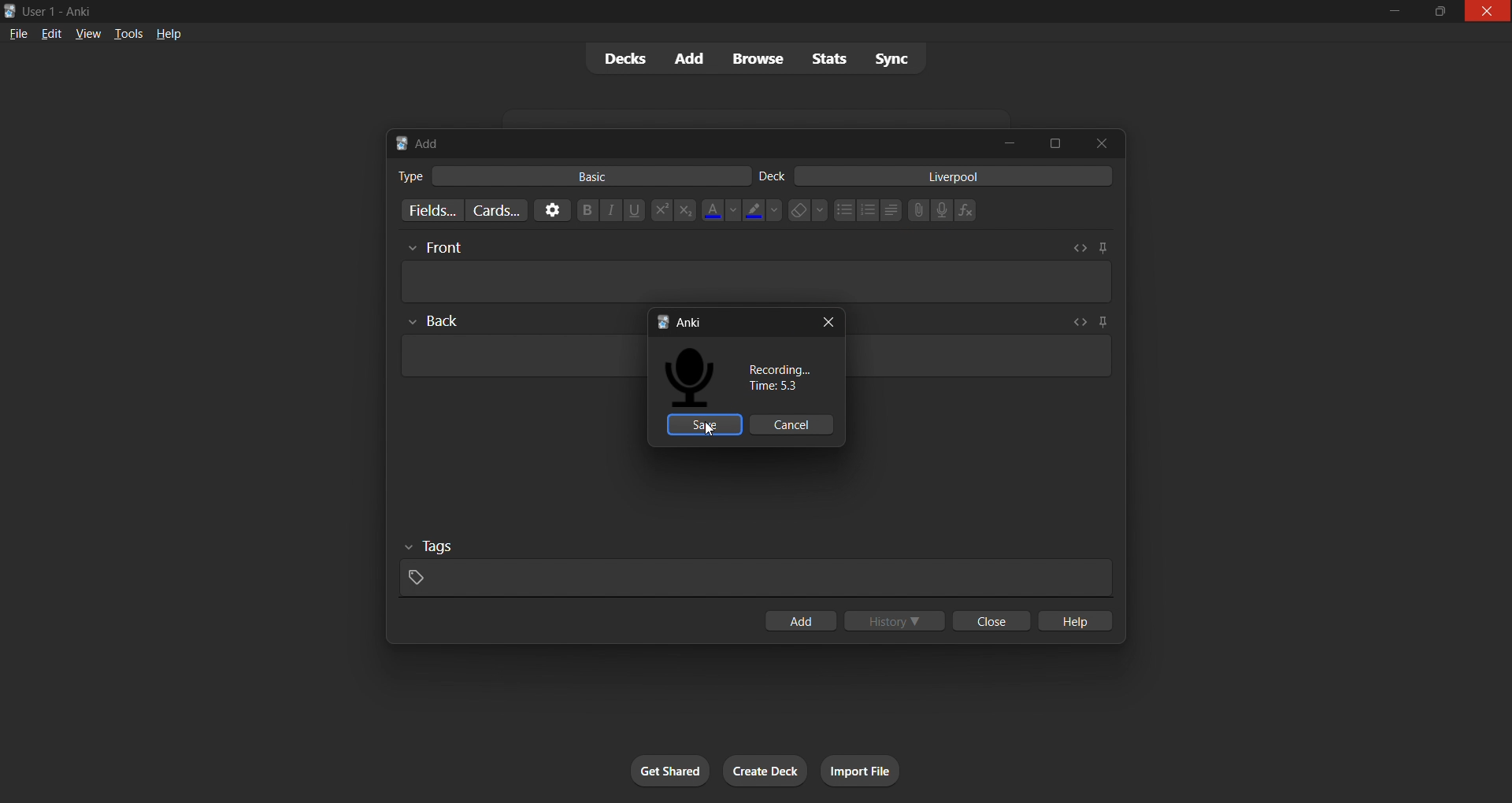  I want to click on options, so click(548, 210).